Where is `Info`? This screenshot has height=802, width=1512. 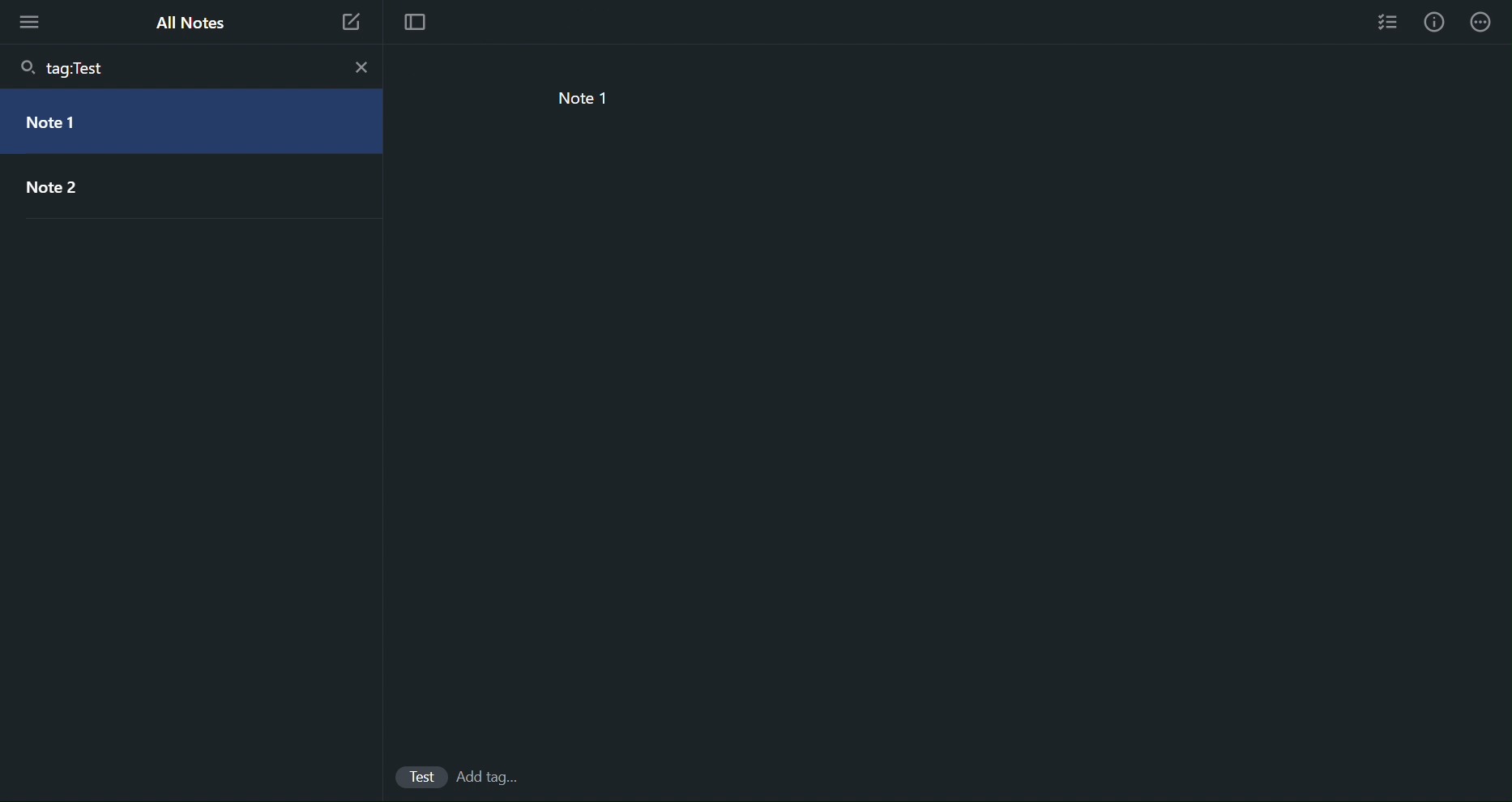
Info is located at coordinates (1434, 21).